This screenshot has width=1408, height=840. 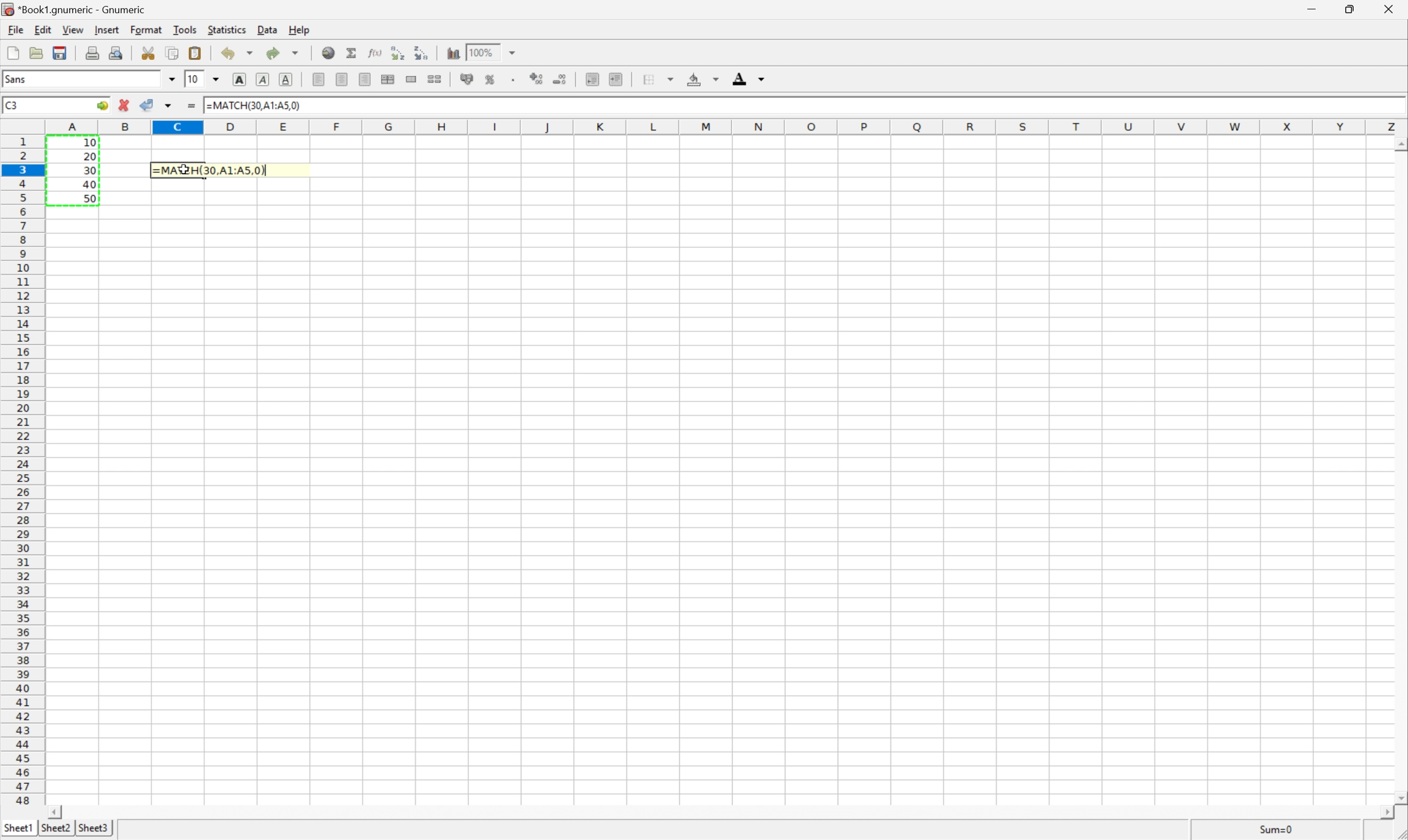 I want to click on Set the format of the selected cells to include a thousands separator, so click(x=513, y=78).